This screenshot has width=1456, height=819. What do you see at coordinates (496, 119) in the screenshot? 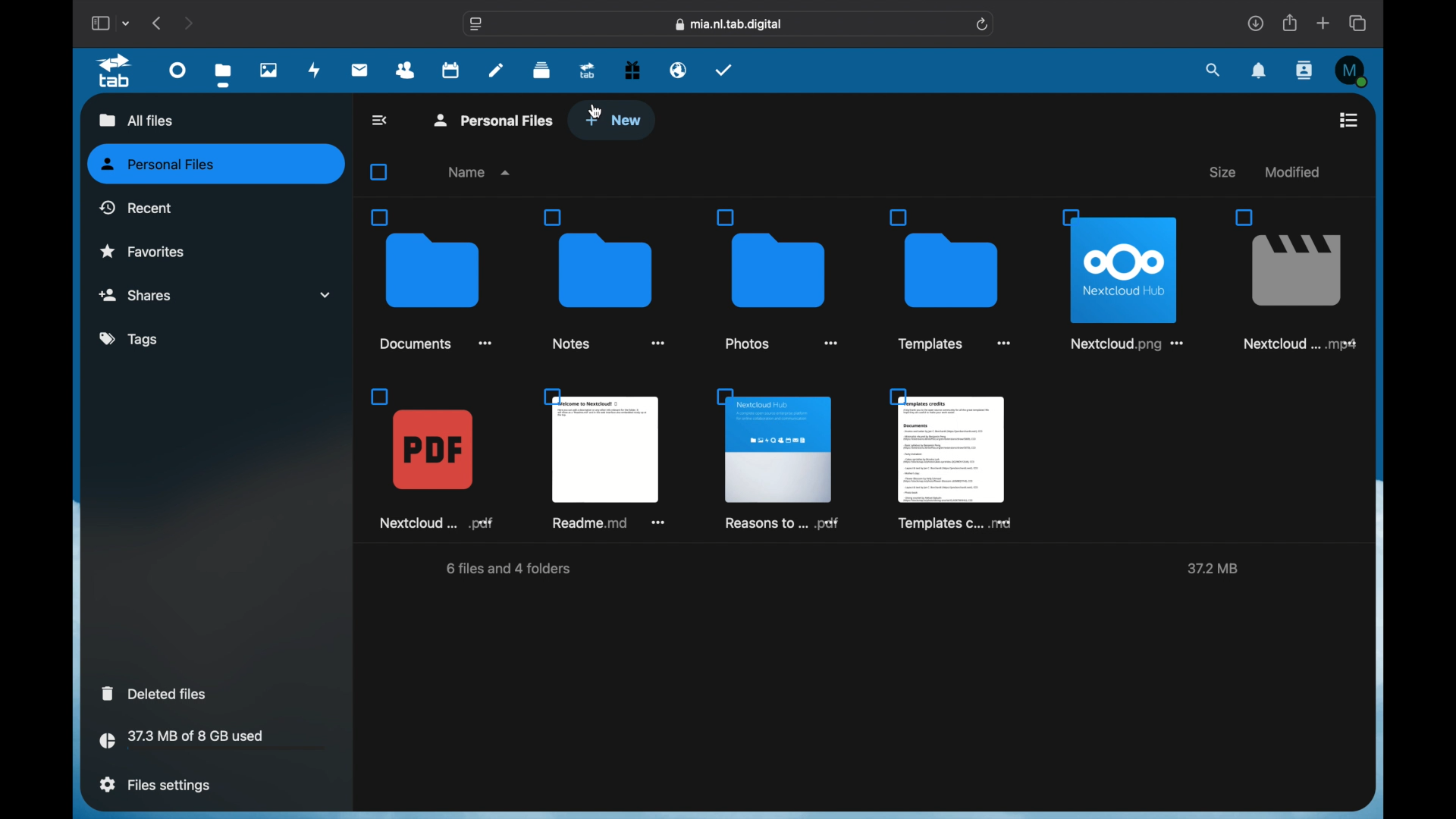
I see `personal files` at bounding box center [496, 119].